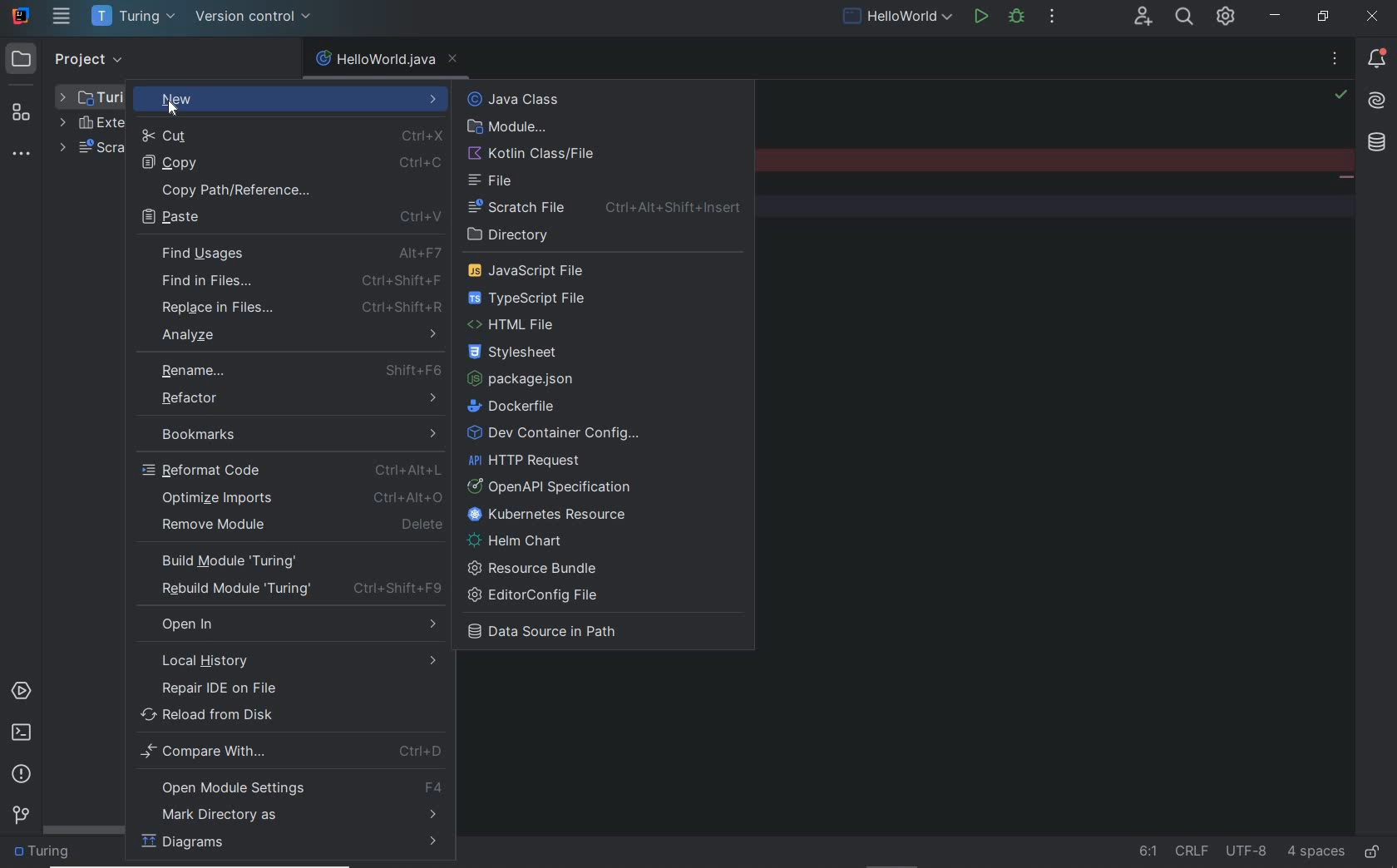  Describe the element at coordinates (519, 326) in the screenshot. I see `HTML File` at that location.